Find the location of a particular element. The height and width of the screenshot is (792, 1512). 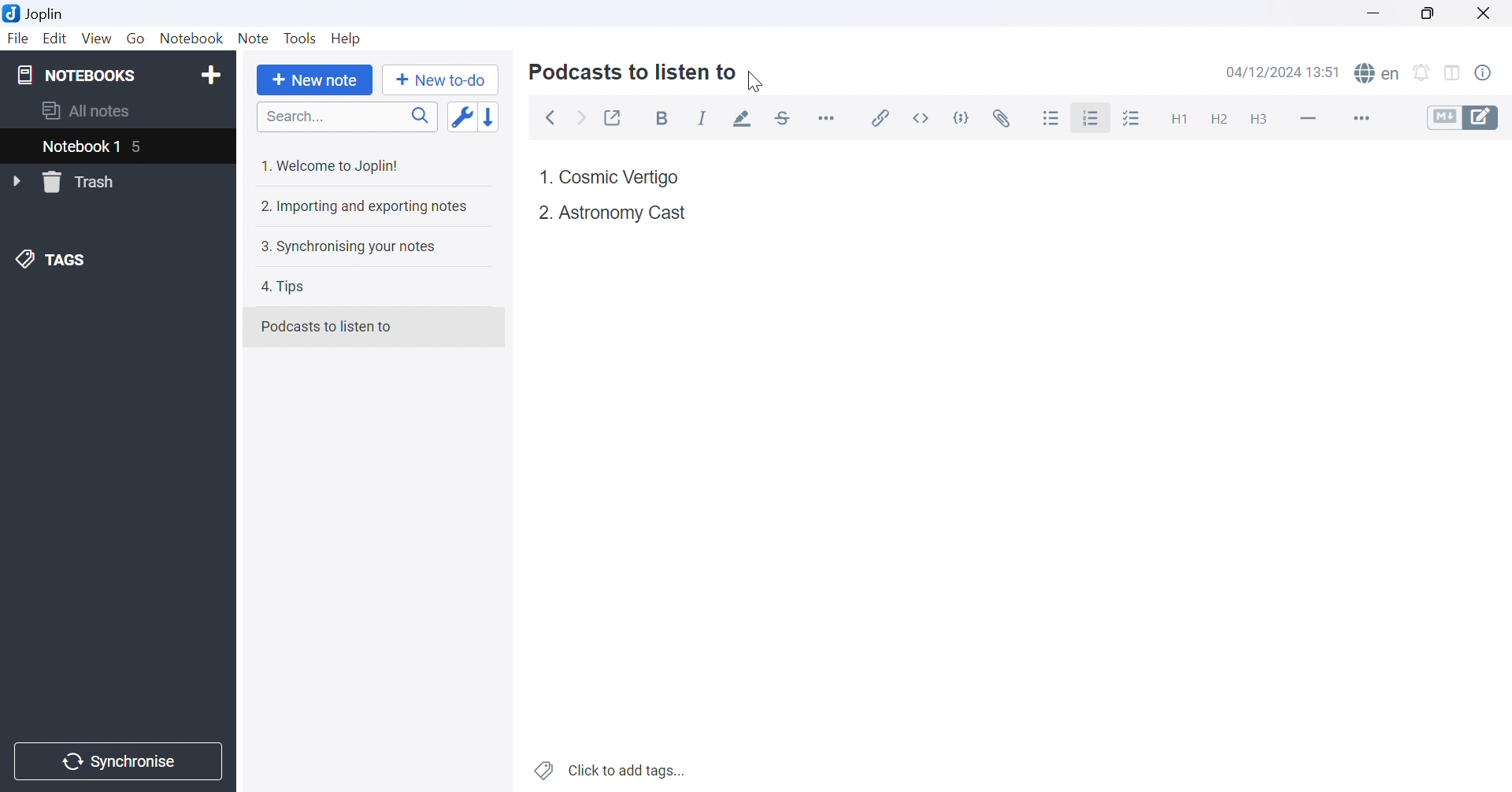

Checkbox list is located at coordinates (1133, 118).